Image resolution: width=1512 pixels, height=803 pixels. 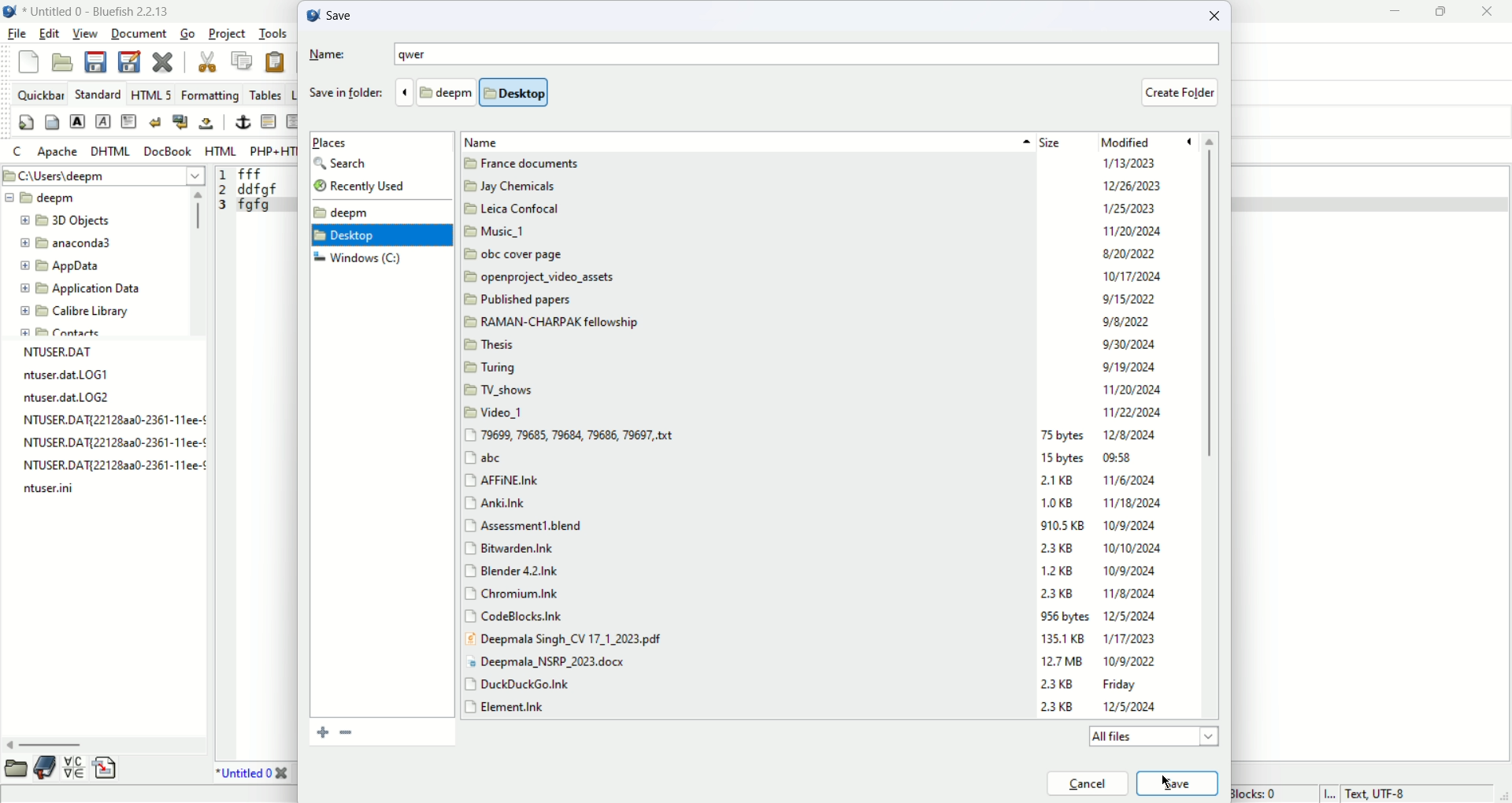 What do you see at coordinates (257, 775) in the screenshot?
I see `title` at bounding box center [257, 775].